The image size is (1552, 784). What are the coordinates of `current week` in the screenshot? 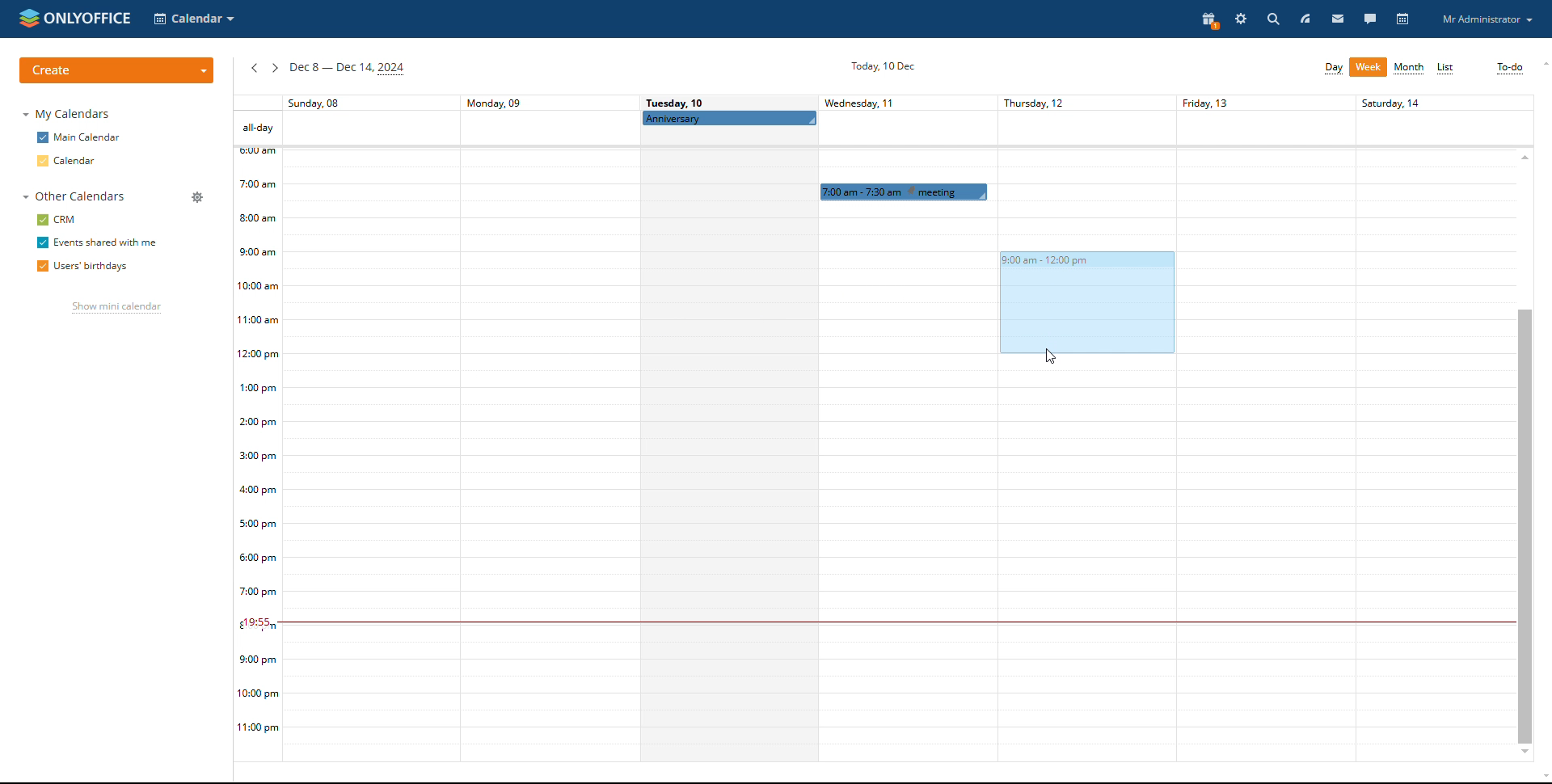 It's located at (348, 70).